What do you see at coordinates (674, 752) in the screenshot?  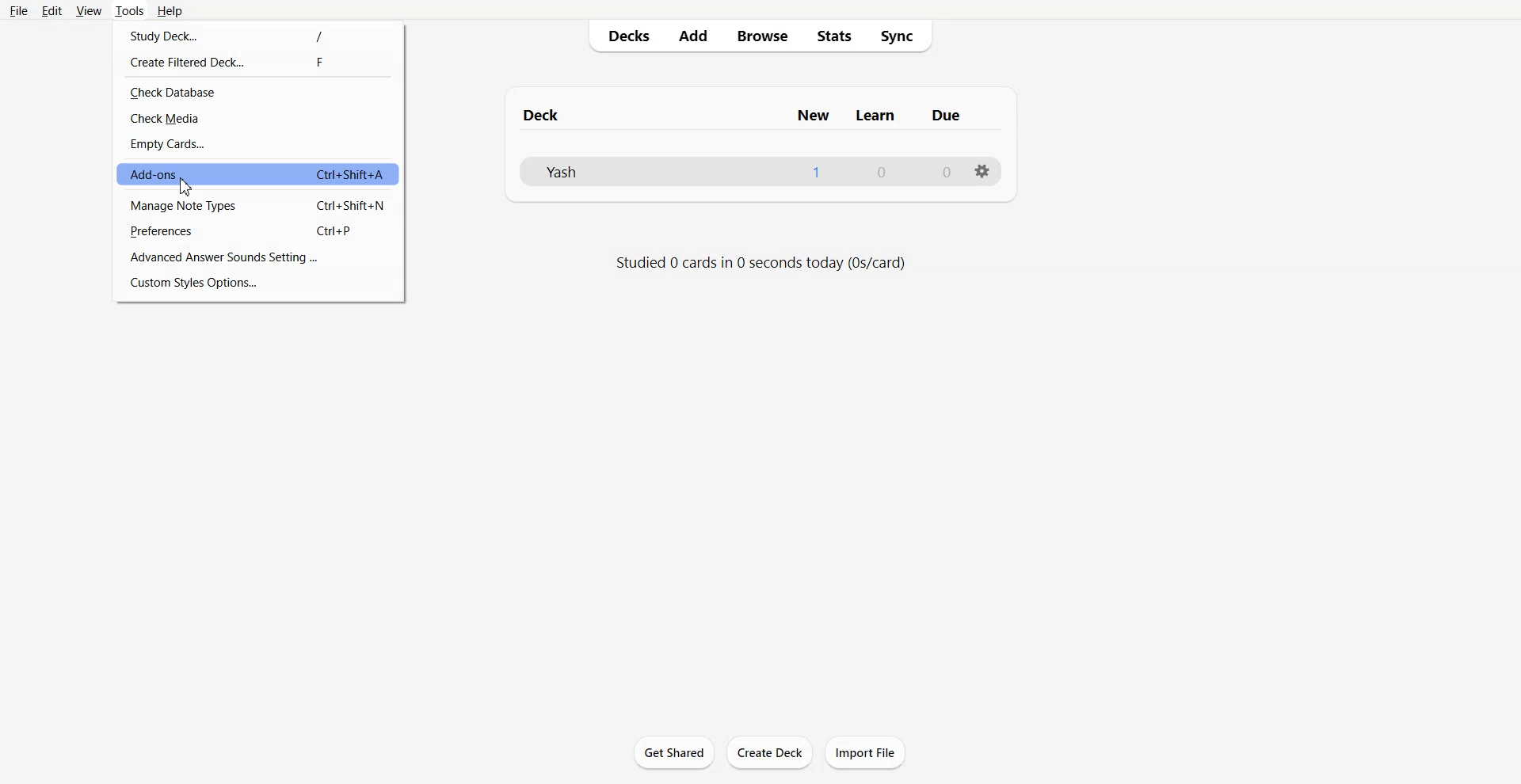 I see `Get Shared` at bounding box center [674, 752].